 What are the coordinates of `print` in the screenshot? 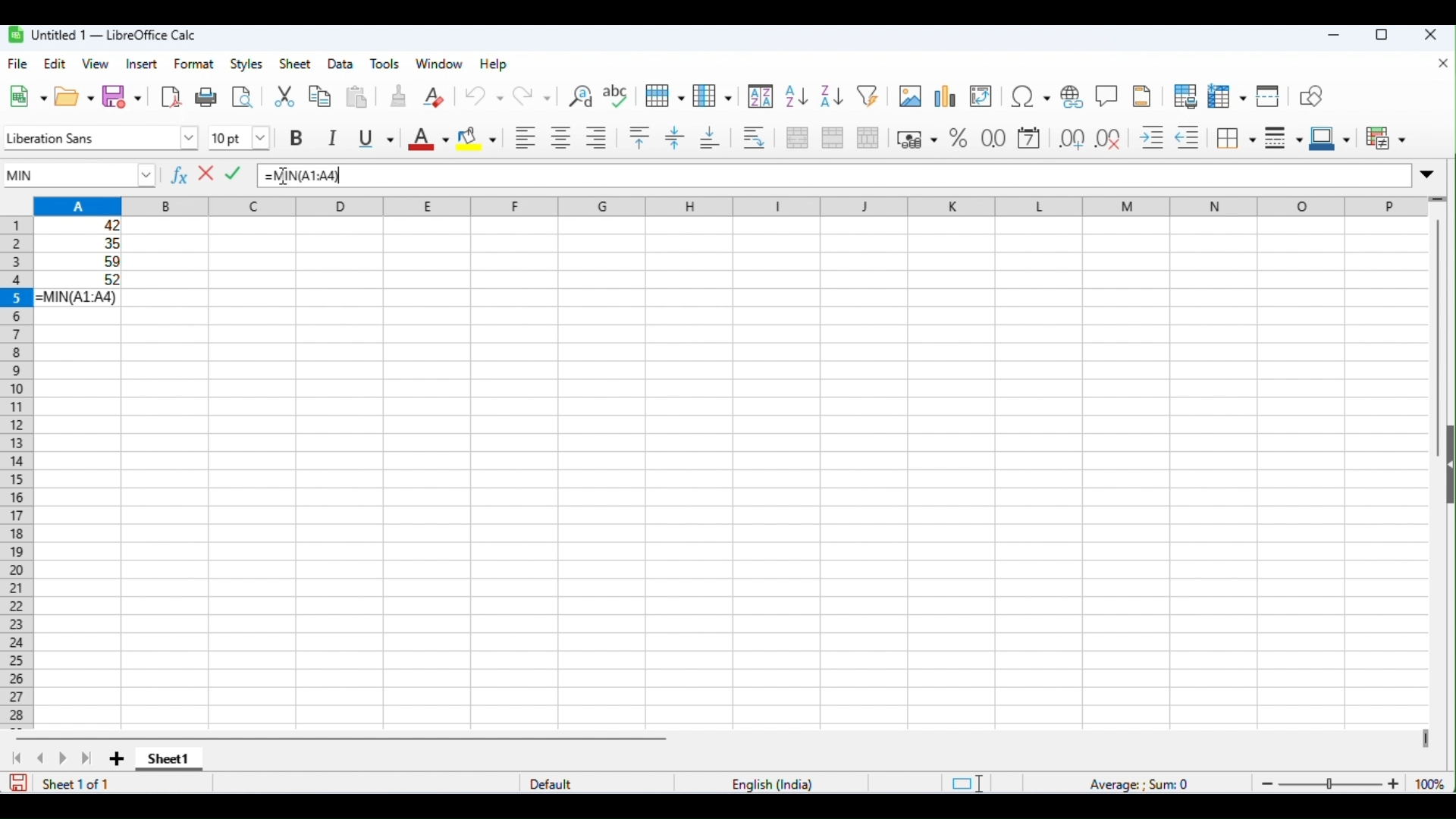 It's located at (205, 97).